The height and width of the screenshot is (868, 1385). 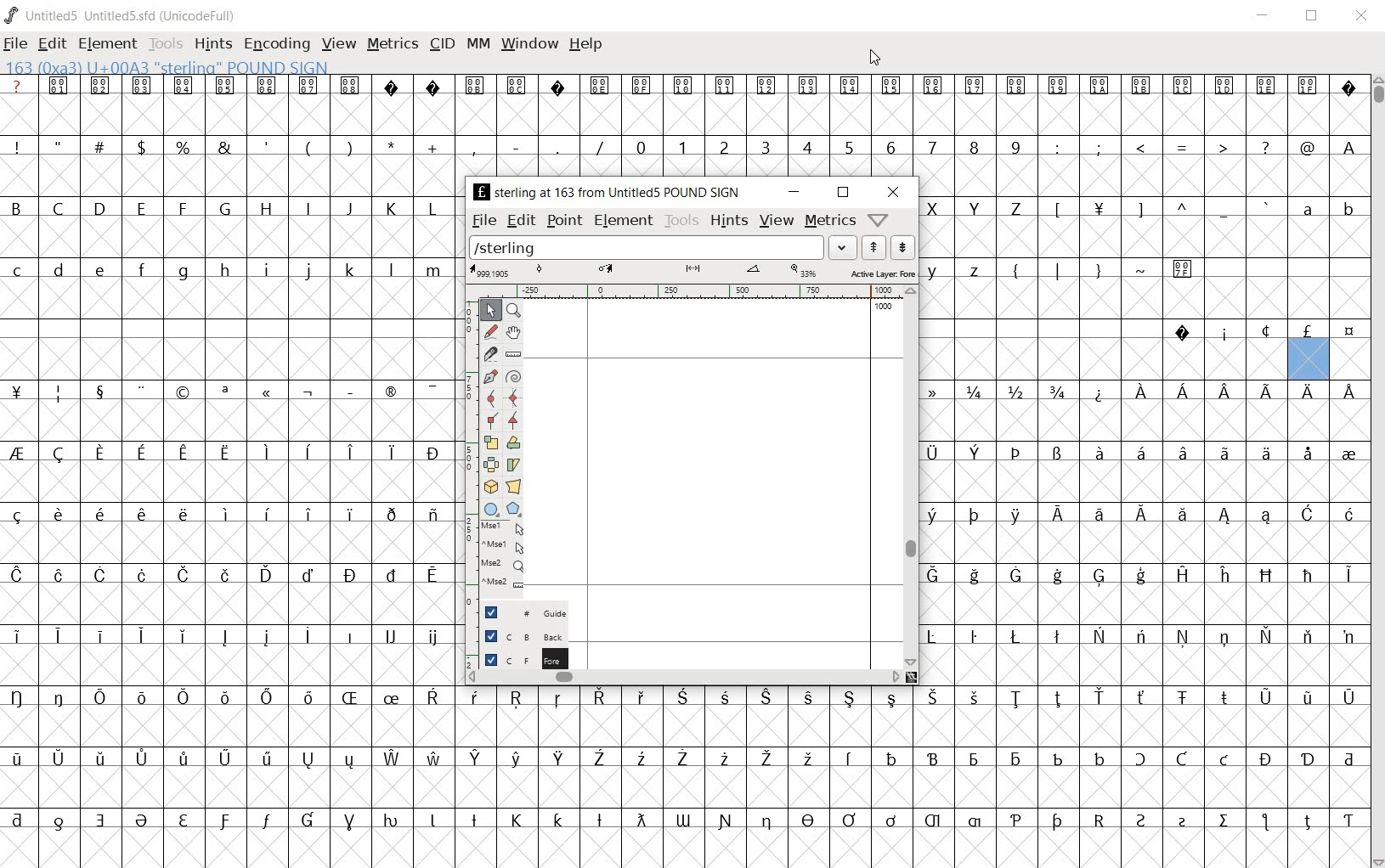 What do you see at coordinates (558, 819) in the screenshot?
I see `` at bounding box center [558, 819].